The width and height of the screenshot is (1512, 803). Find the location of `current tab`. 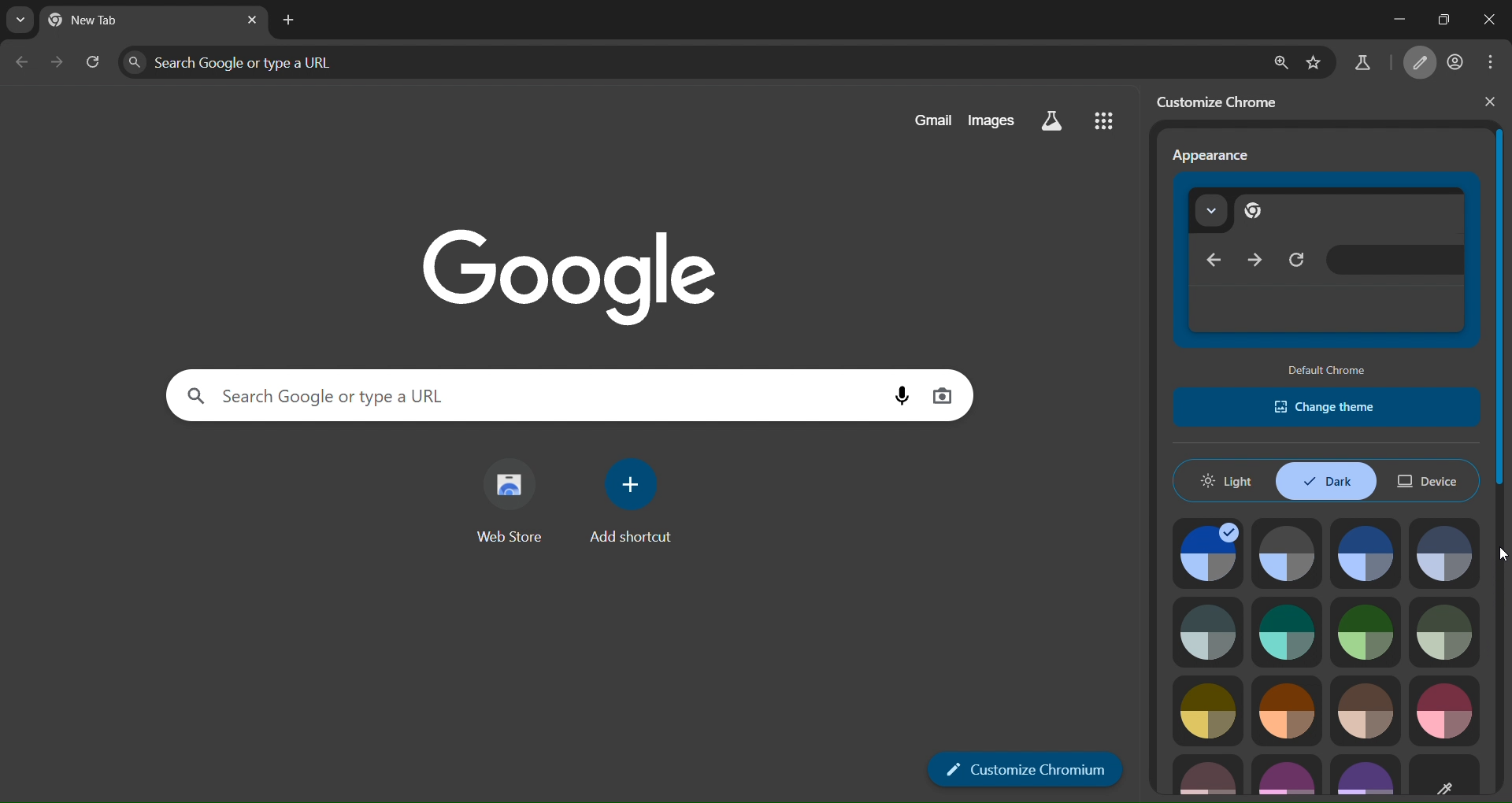

current tab is located at coordinates (105, 23).